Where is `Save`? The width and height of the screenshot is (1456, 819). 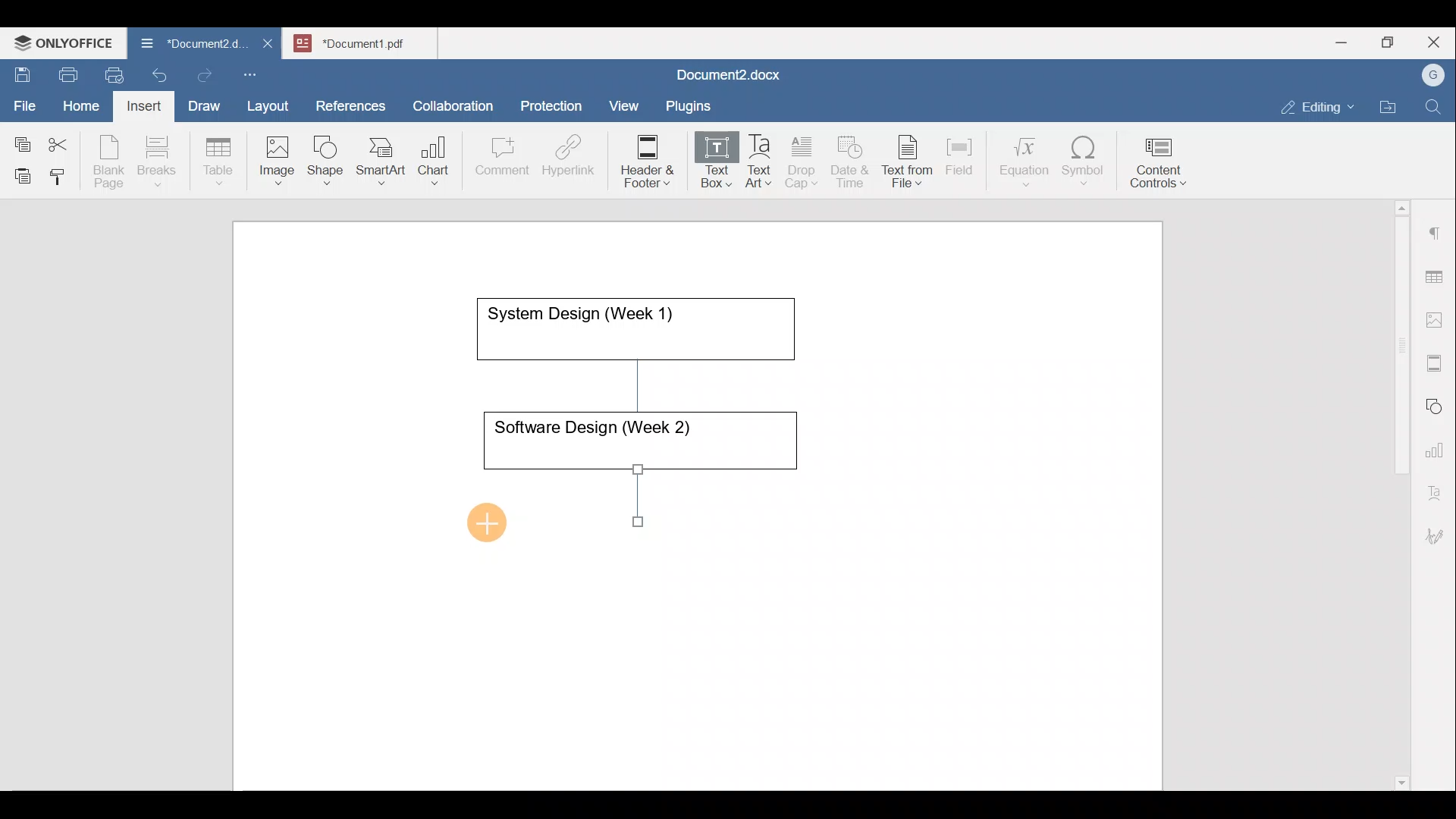
Save is located at coordinates (21, 71).